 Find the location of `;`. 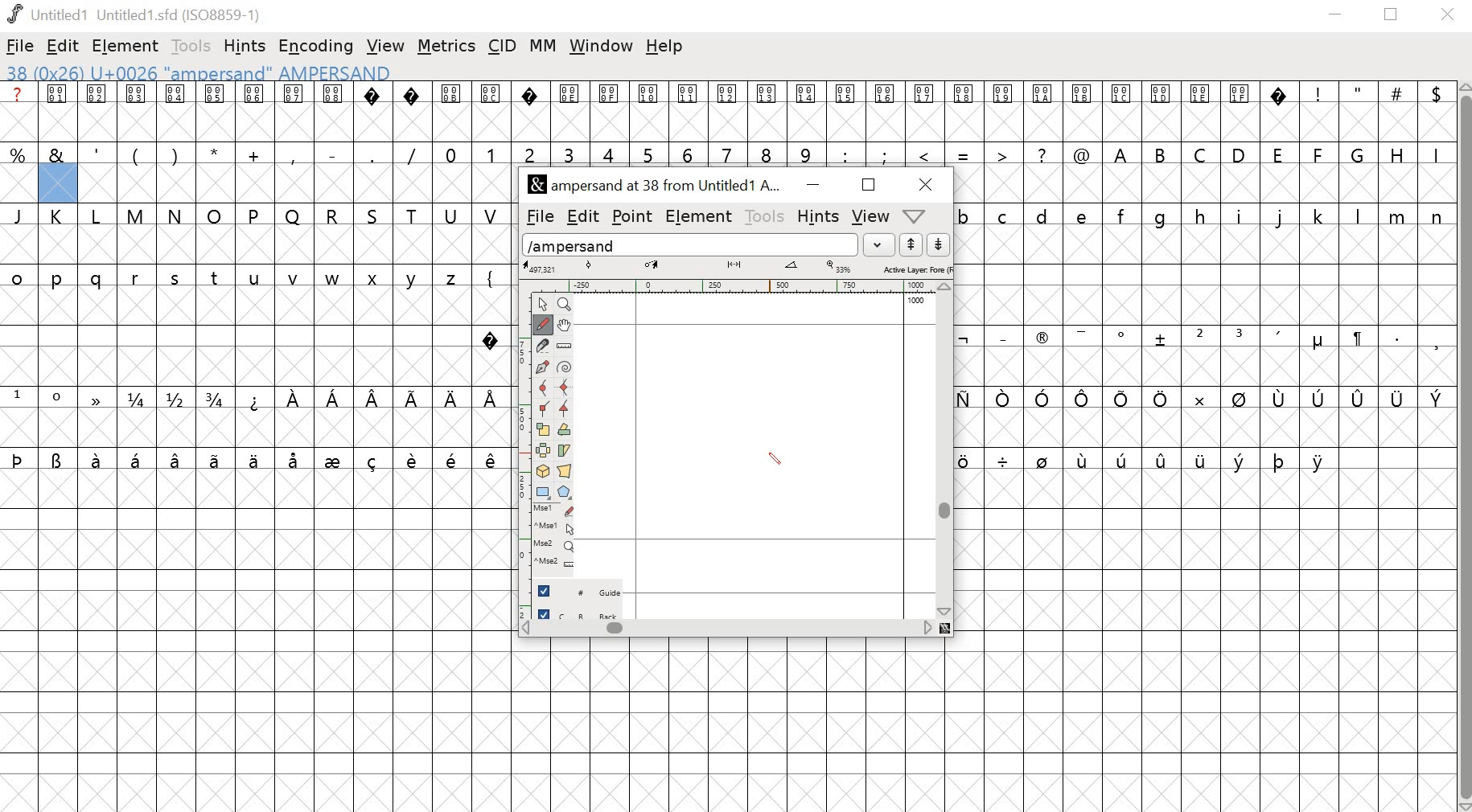

; is located at coordinates (886, 154).